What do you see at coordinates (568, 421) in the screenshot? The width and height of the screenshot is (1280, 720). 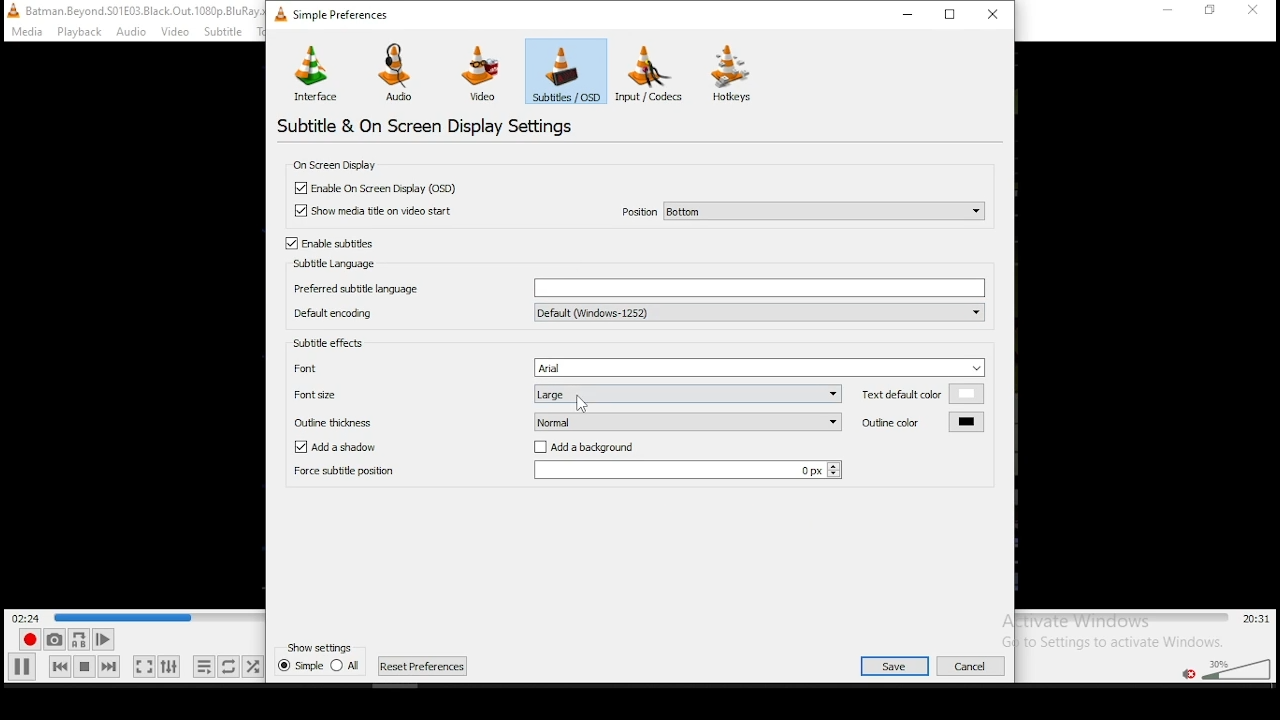 I see `outline thickness  Normal` at bounding box center [568, 421].